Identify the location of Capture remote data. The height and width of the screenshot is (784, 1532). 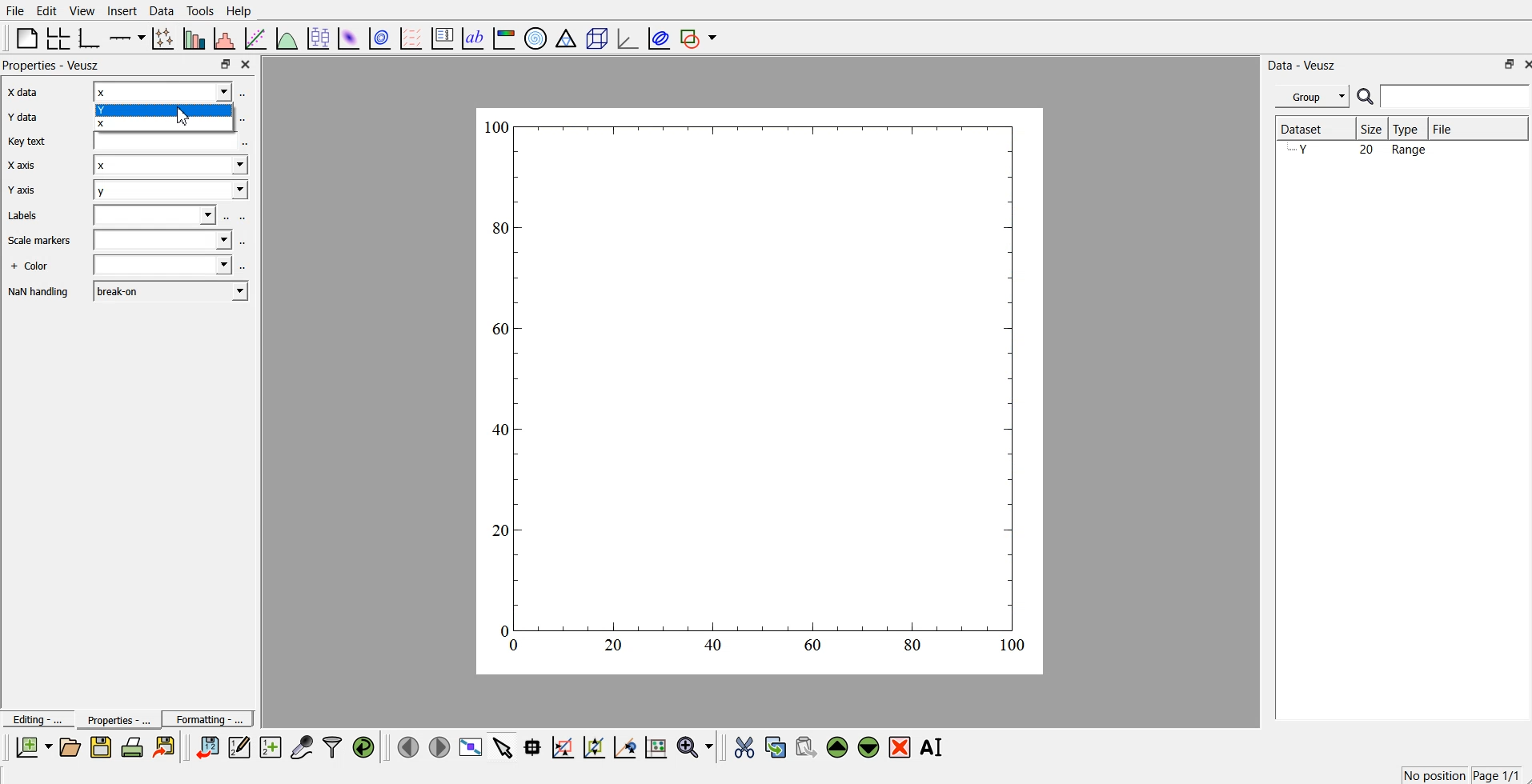
(303, 746).